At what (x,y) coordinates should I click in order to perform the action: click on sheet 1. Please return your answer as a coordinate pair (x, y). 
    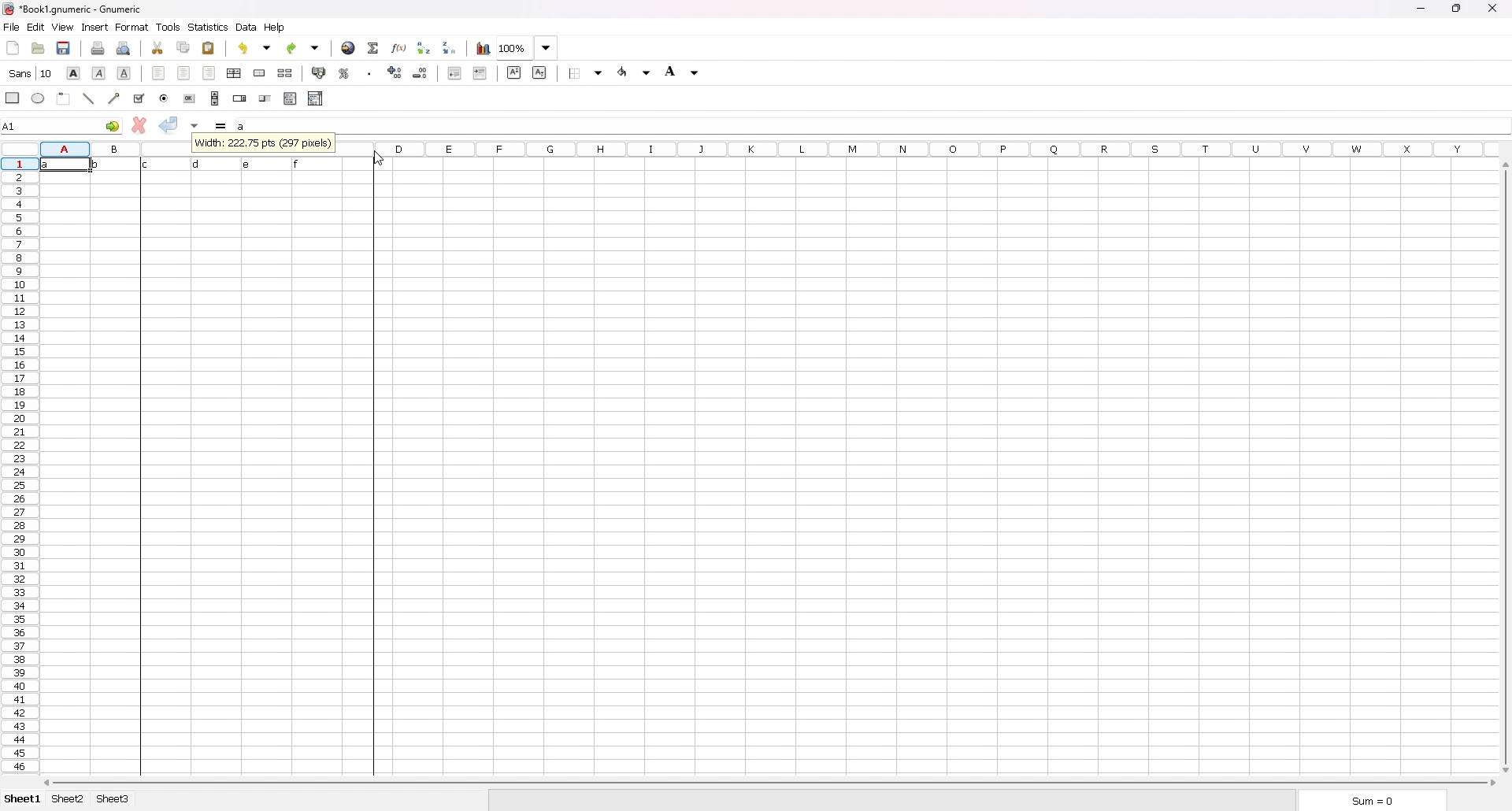
    Looking at the image, I should click on (23, 799).